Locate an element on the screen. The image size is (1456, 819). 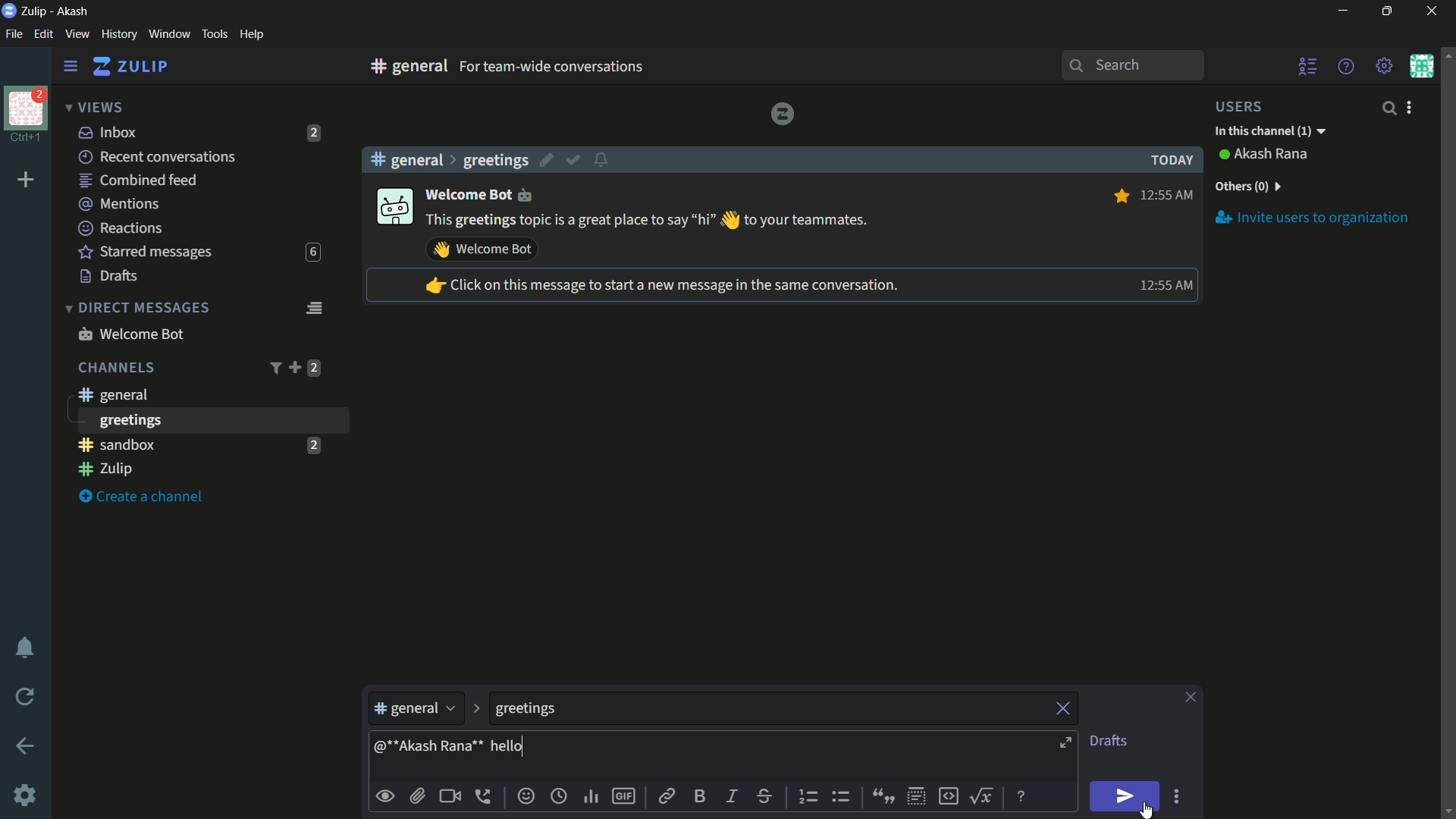
12: 55 AM is located at coordinates (1163, 285).